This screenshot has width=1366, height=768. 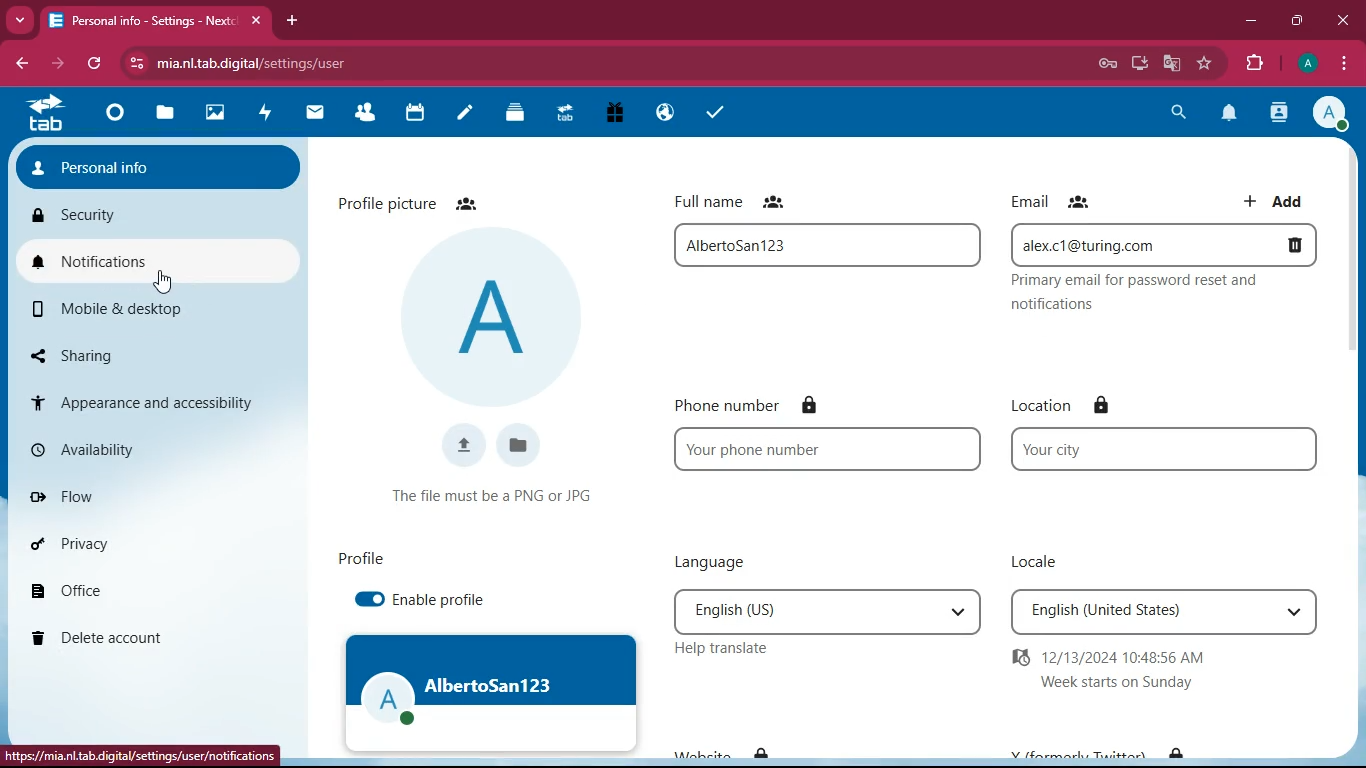 I want to click on https://mia.nl.tab.digital/settings/user/notifications, so click(x=141, y=756).